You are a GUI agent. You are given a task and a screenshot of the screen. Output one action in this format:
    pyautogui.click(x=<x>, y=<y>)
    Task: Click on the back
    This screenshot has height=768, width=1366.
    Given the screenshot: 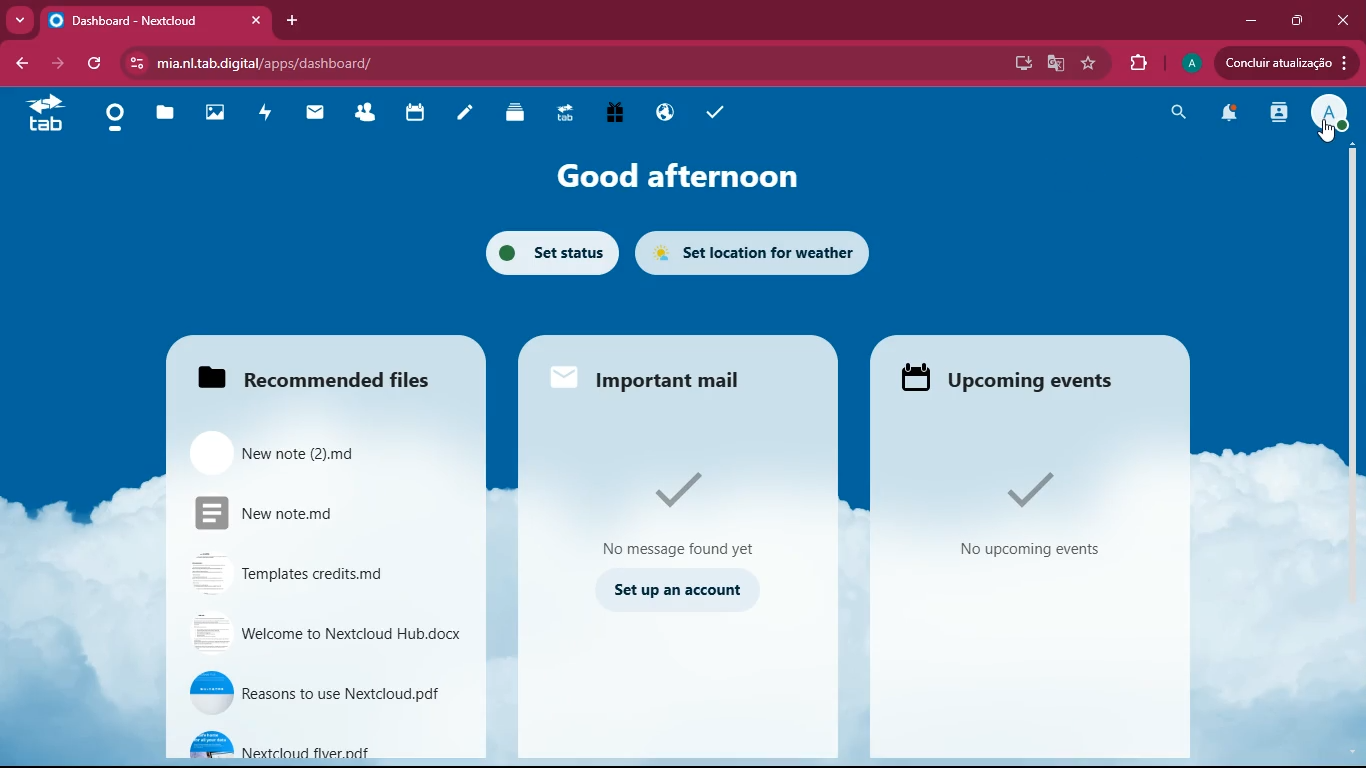 What is the action you would take?
    pyautogui.click(x=23, y=65)
    